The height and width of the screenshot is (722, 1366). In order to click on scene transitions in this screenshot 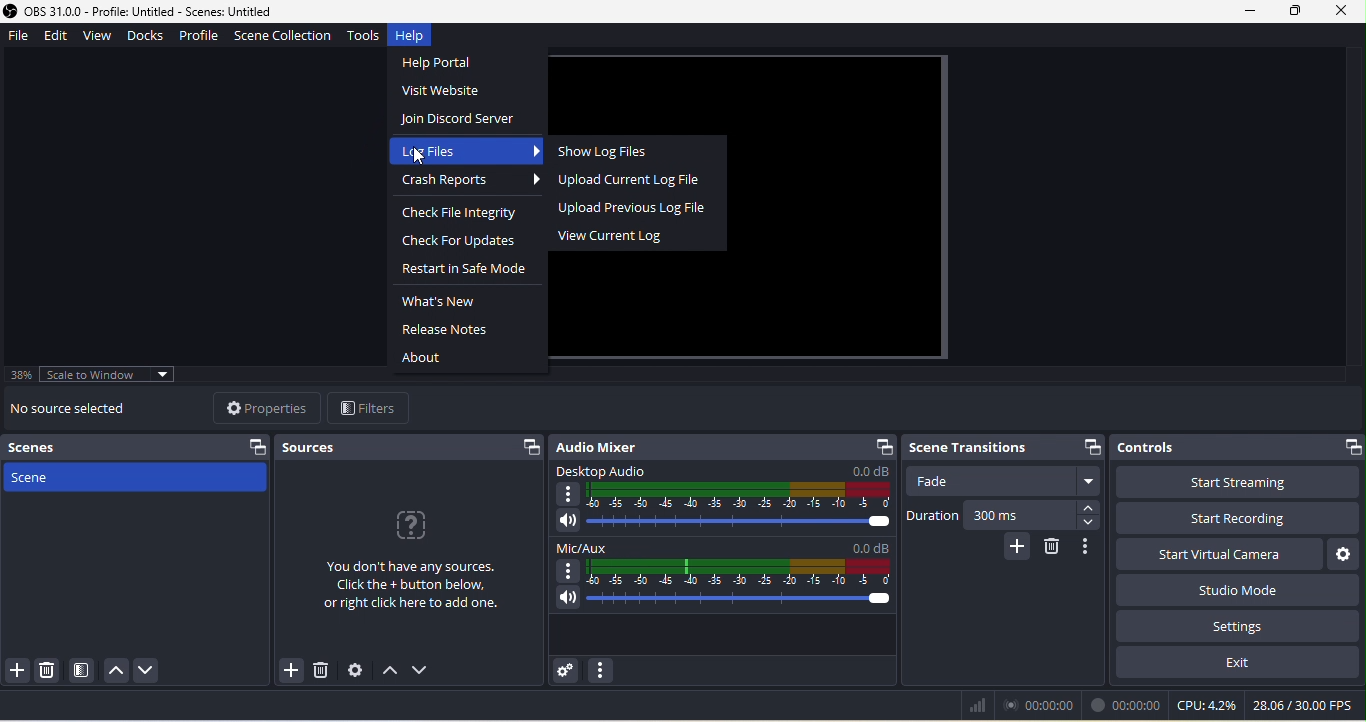, I will do `click(1001, 448)`.